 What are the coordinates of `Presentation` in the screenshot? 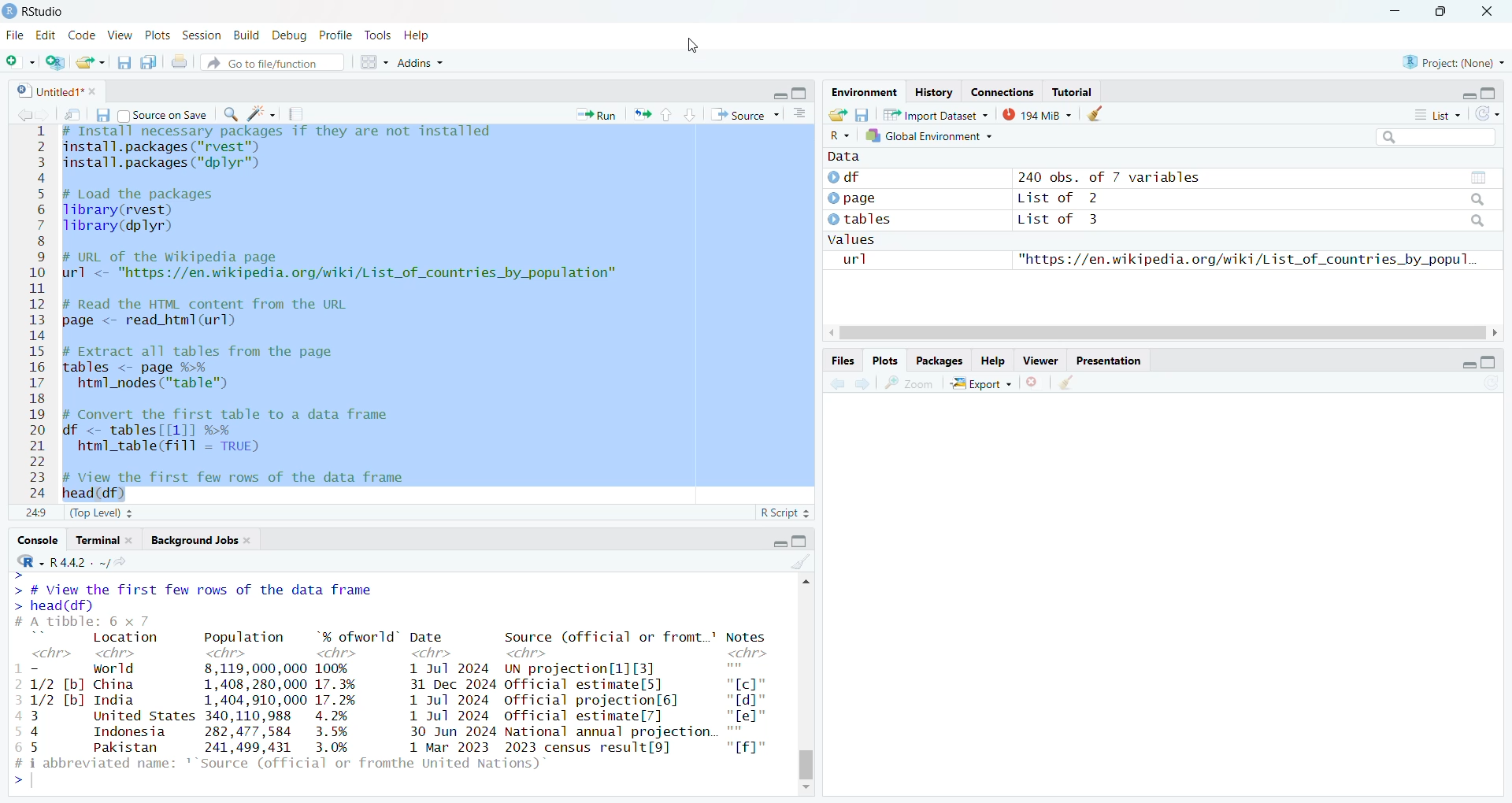 It's located at (1107, 360).